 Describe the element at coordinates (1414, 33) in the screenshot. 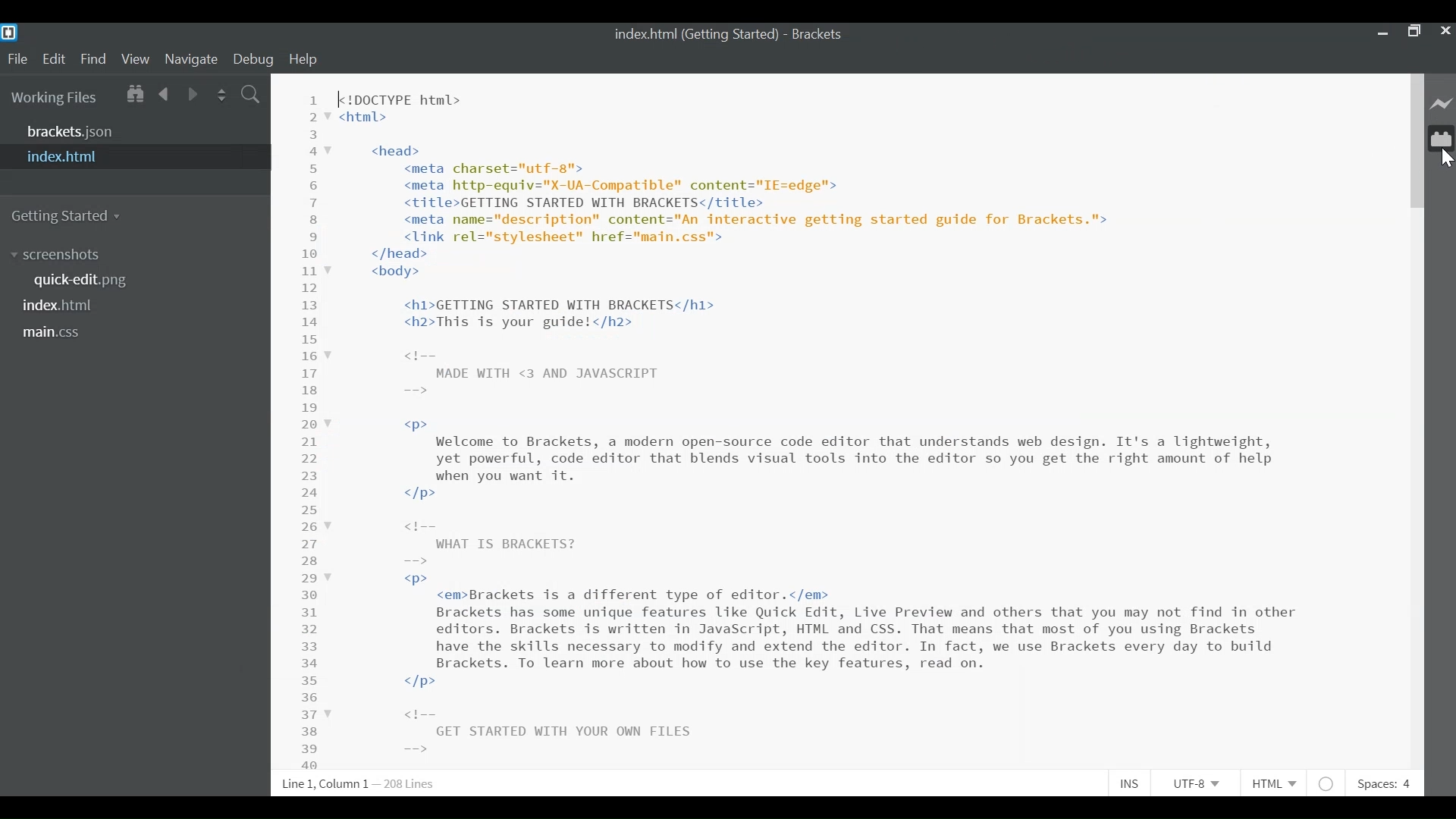

I see `Restore` at that location.